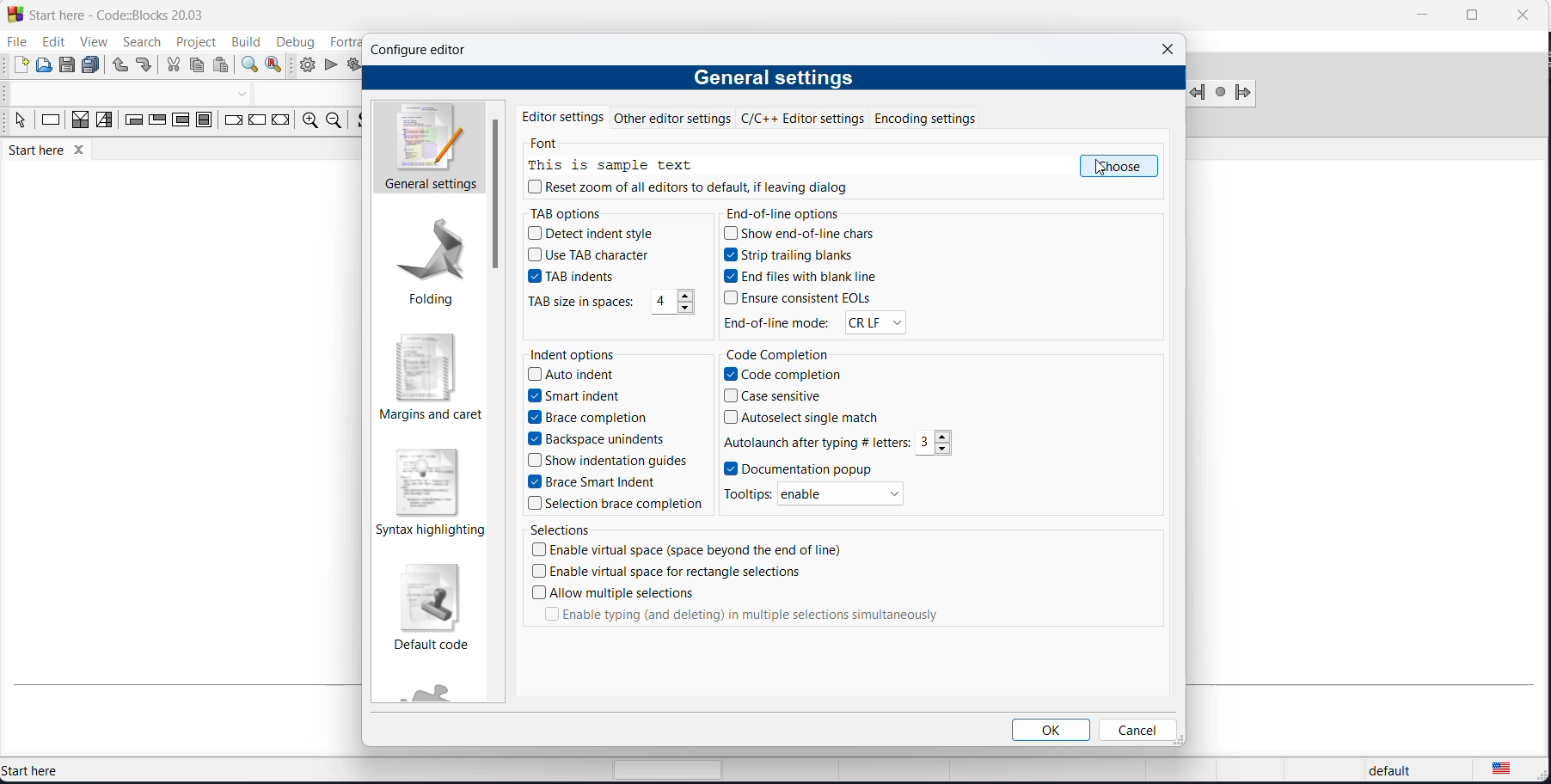 This screenshot has width=1551, height=784. What do you see at coordinates (808, 118) in the screenshot?
I see `c and cpp editor settings` at bounding box center [808, 118].